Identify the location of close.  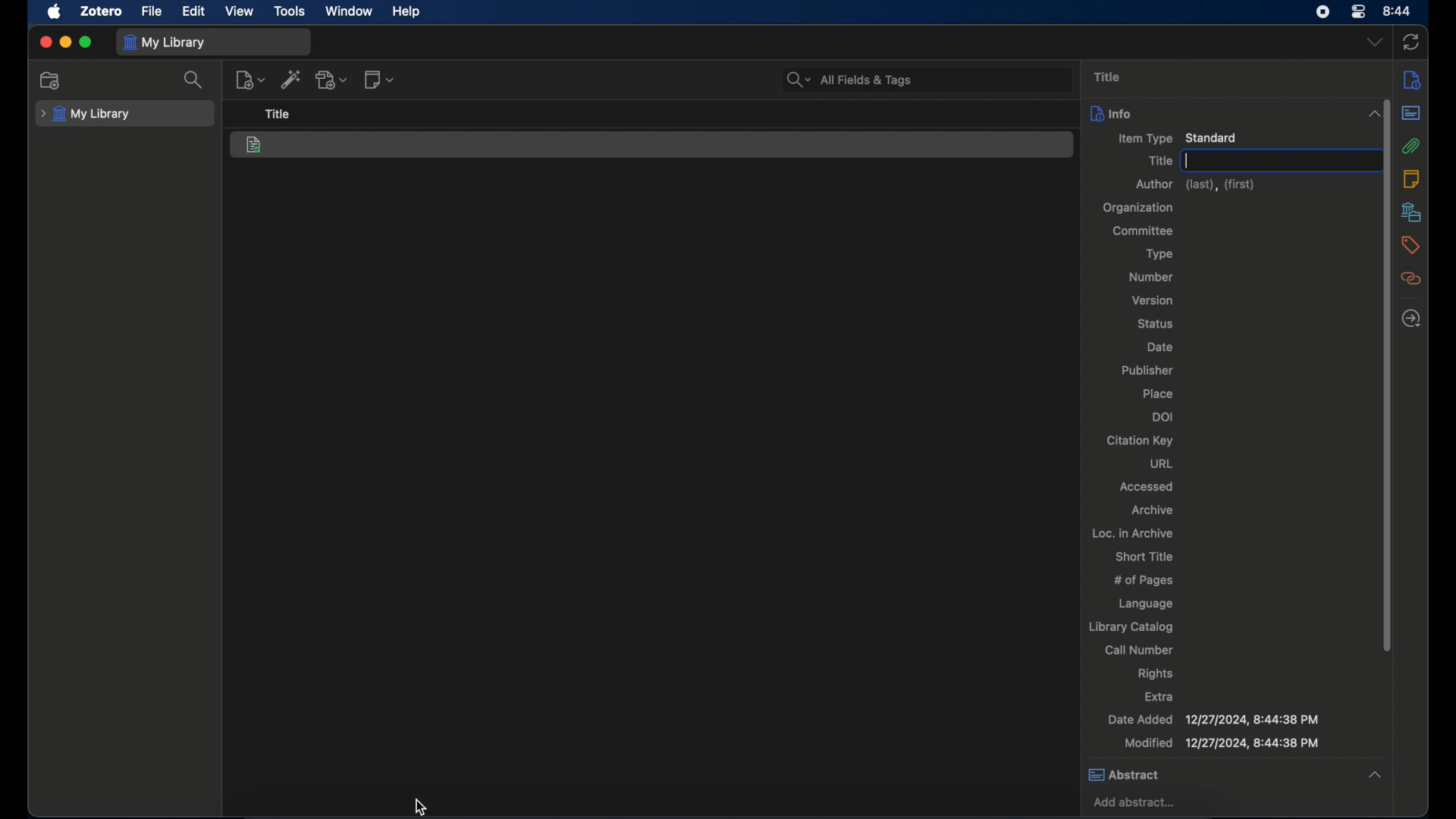
(45, 42).